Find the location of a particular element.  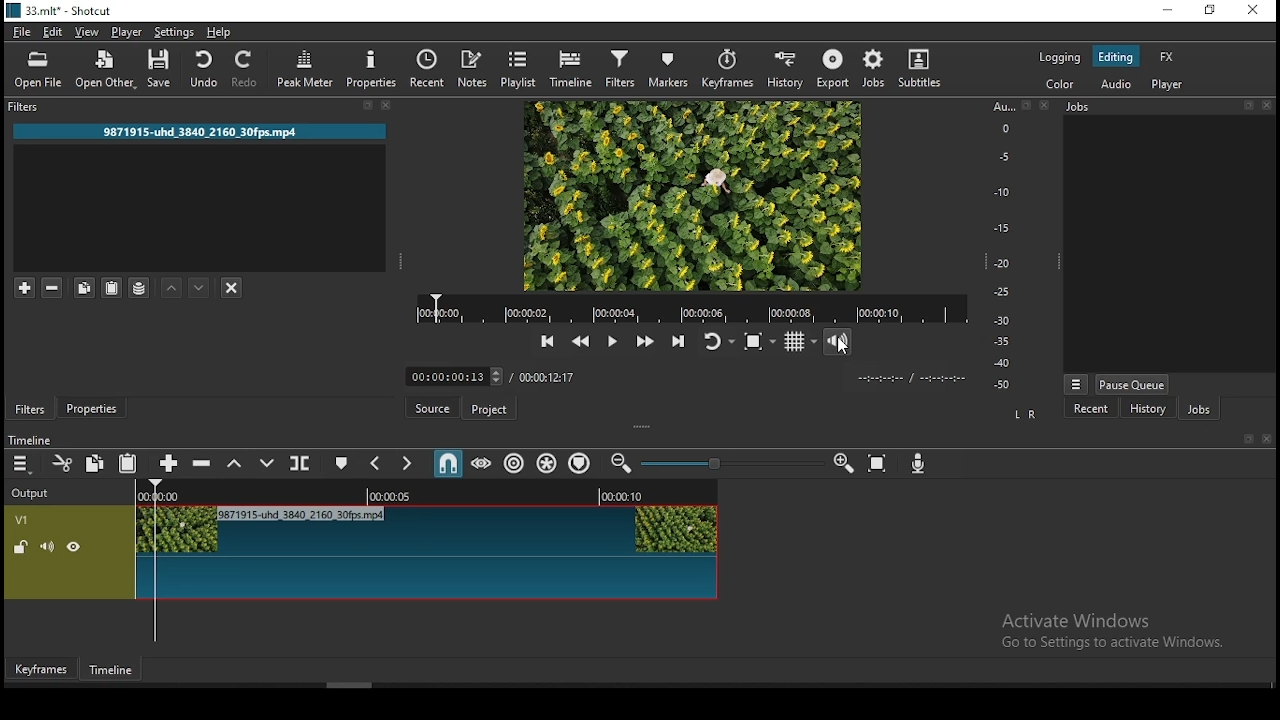

L R is located at coordinates (1025, 415).